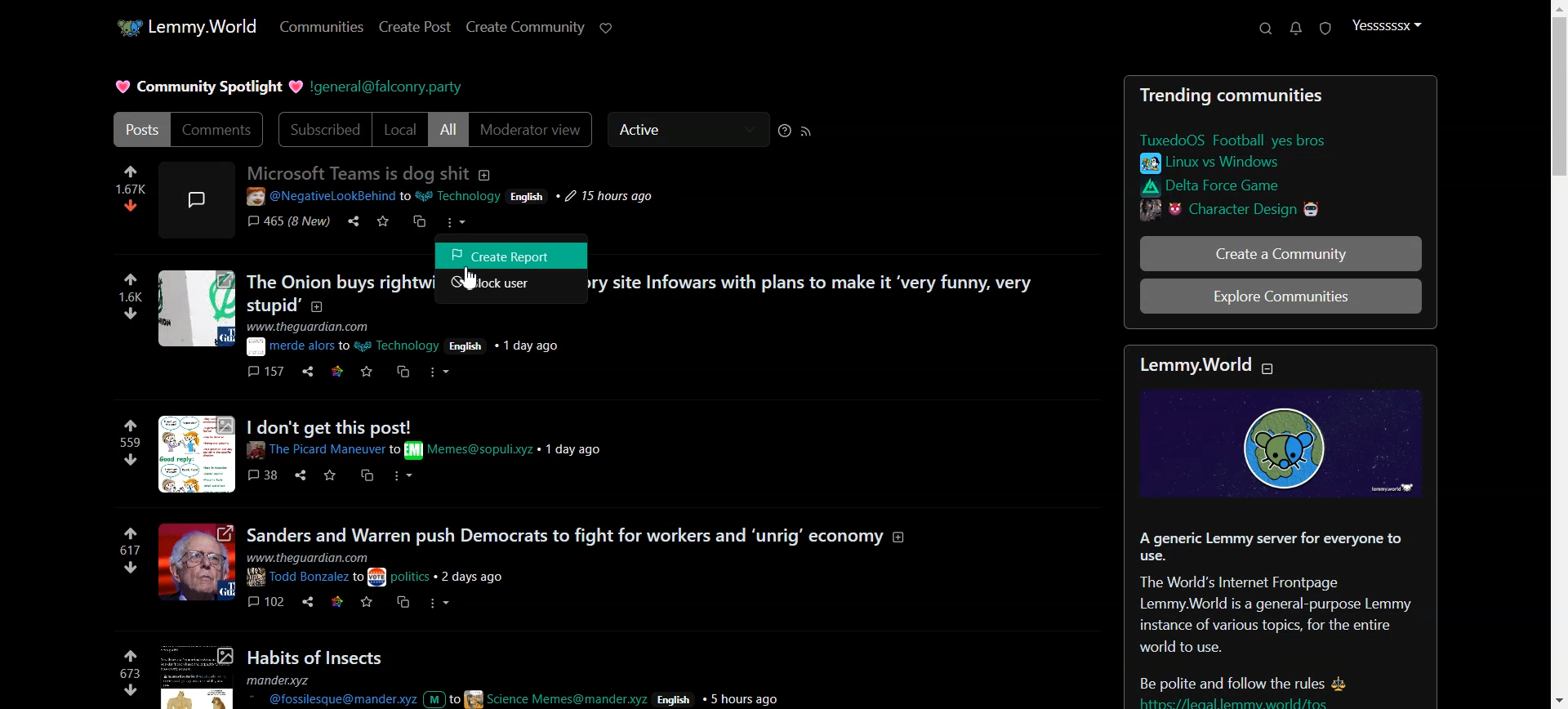  Describe the element at coordinates (1249, 209) in the screenshot. I see `link` at that location.